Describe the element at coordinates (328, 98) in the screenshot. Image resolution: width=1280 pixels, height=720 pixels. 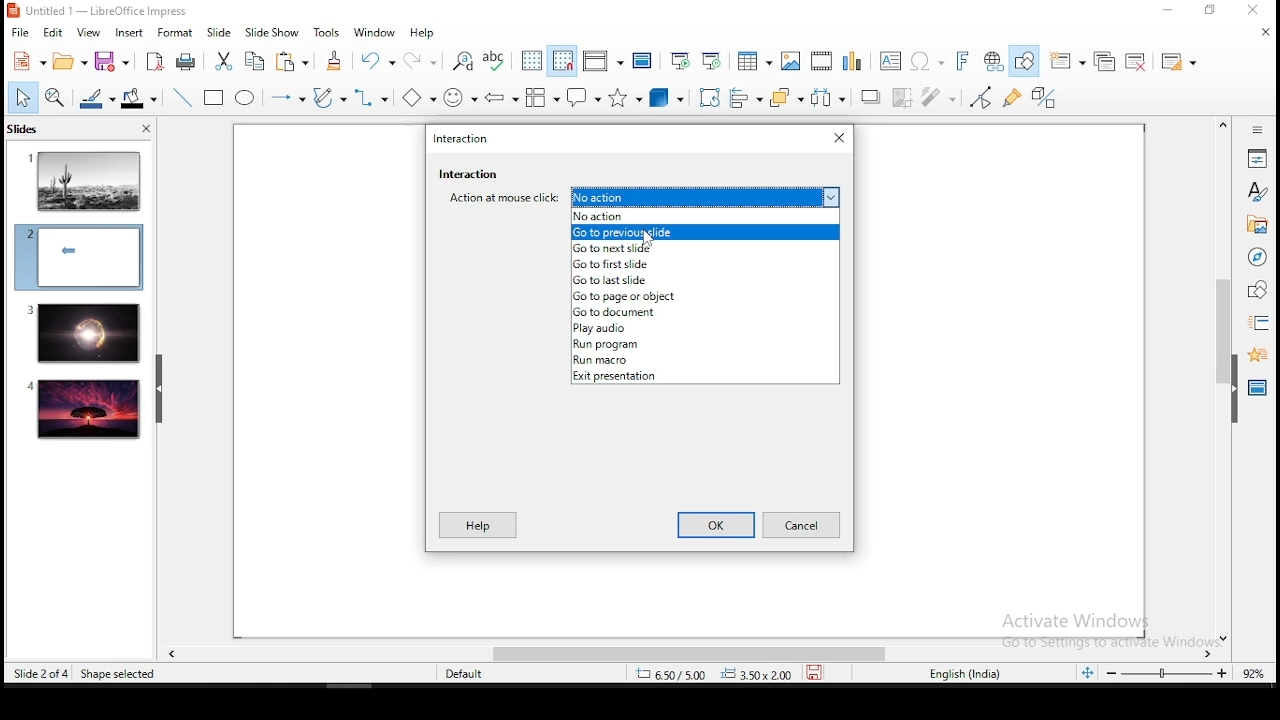
I see `curves and polygons` at that location.